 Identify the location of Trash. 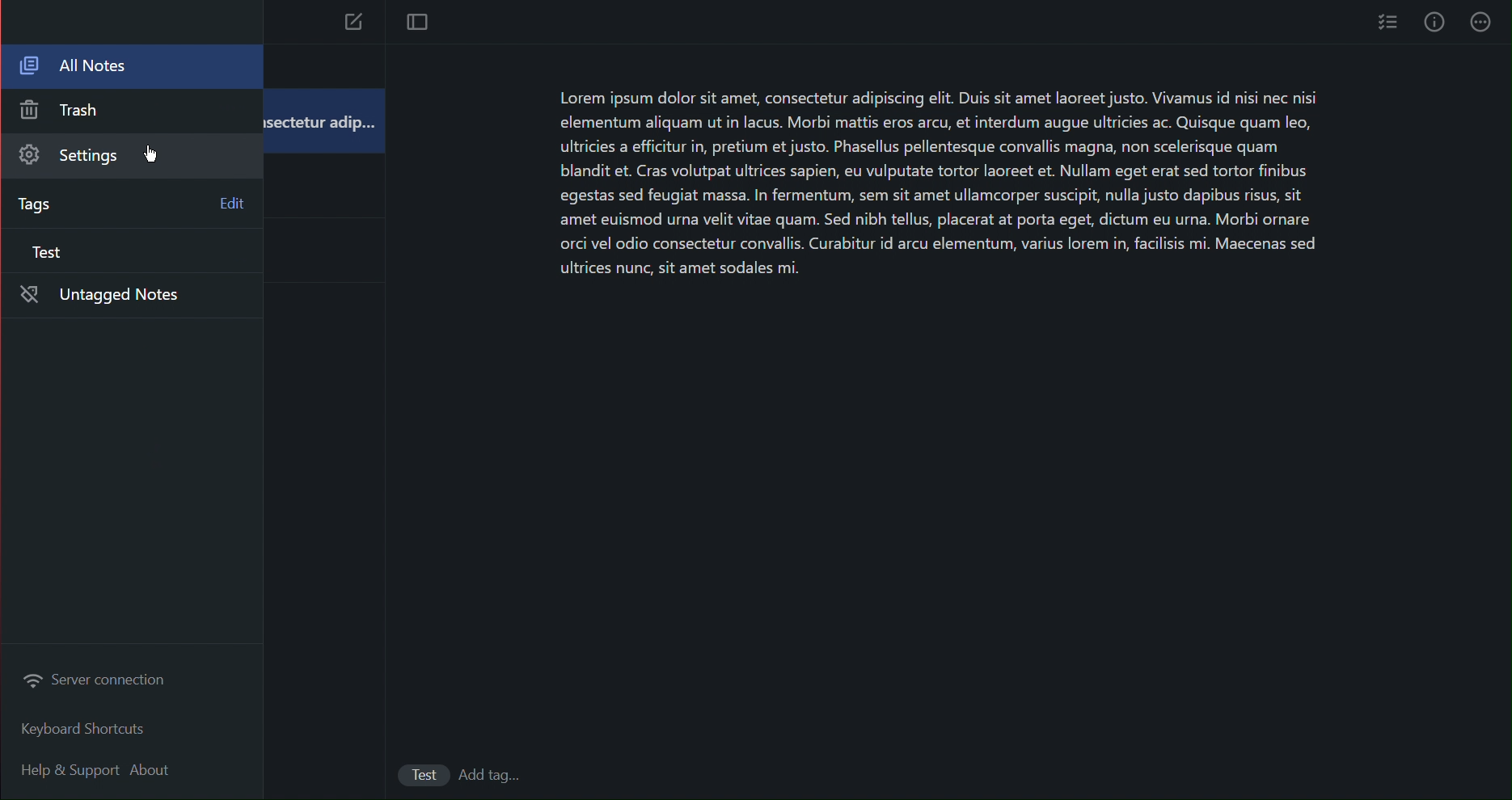
(79, 114).